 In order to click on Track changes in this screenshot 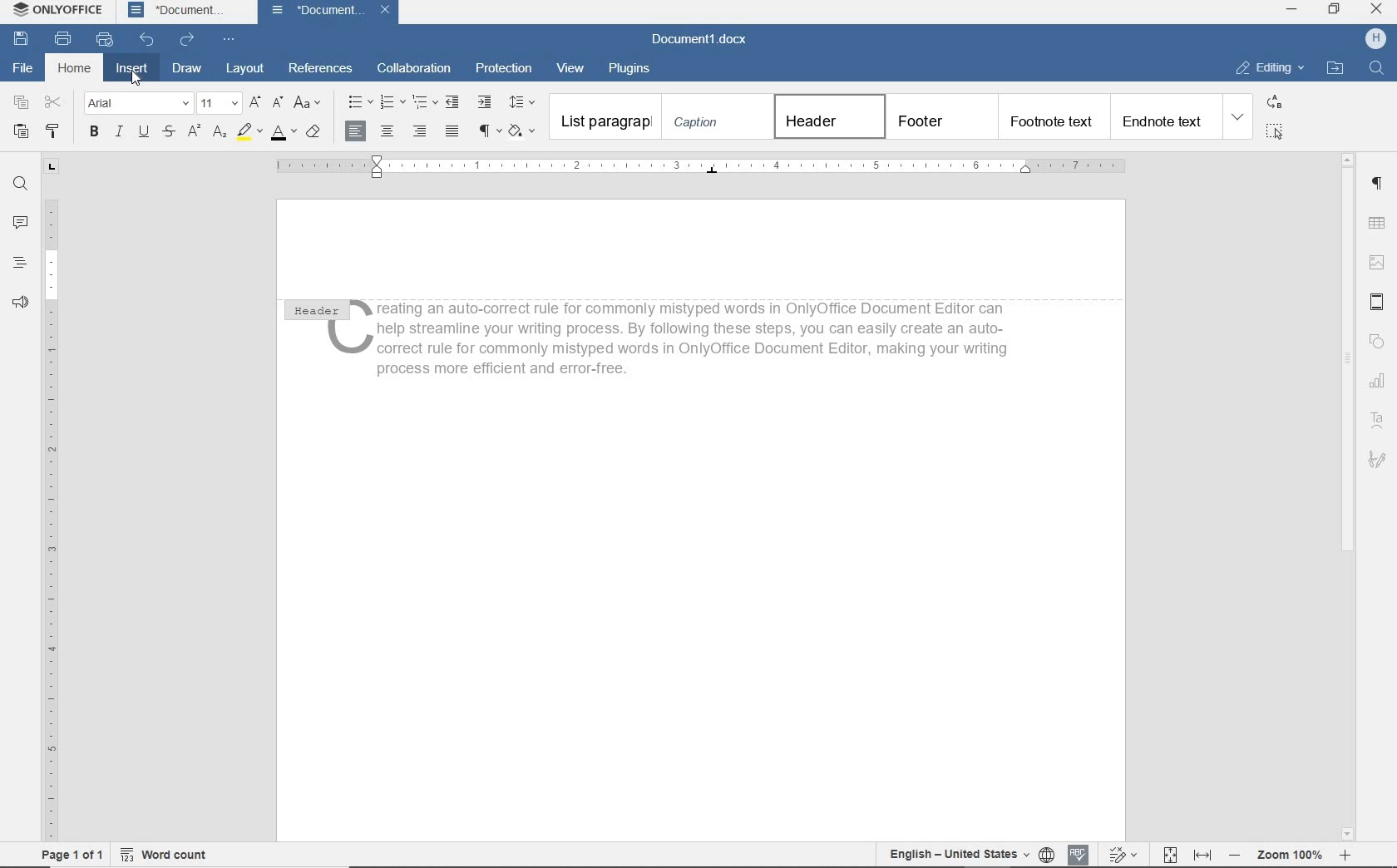, I will do `click(1122, 854)`.